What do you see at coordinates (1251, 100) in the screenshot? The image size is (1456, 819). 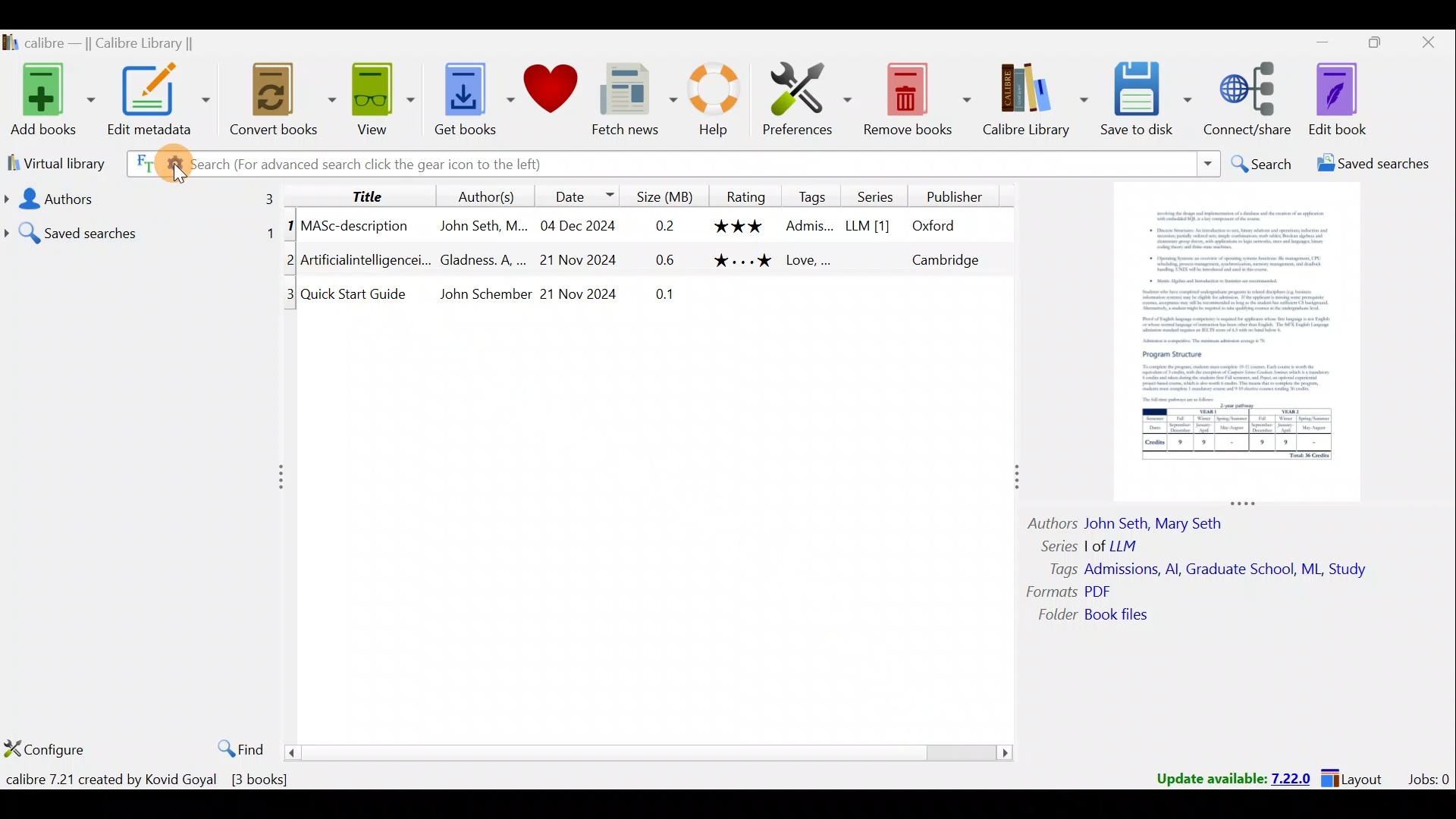 I see `Connect/share` at bounding box center [1251, 100].